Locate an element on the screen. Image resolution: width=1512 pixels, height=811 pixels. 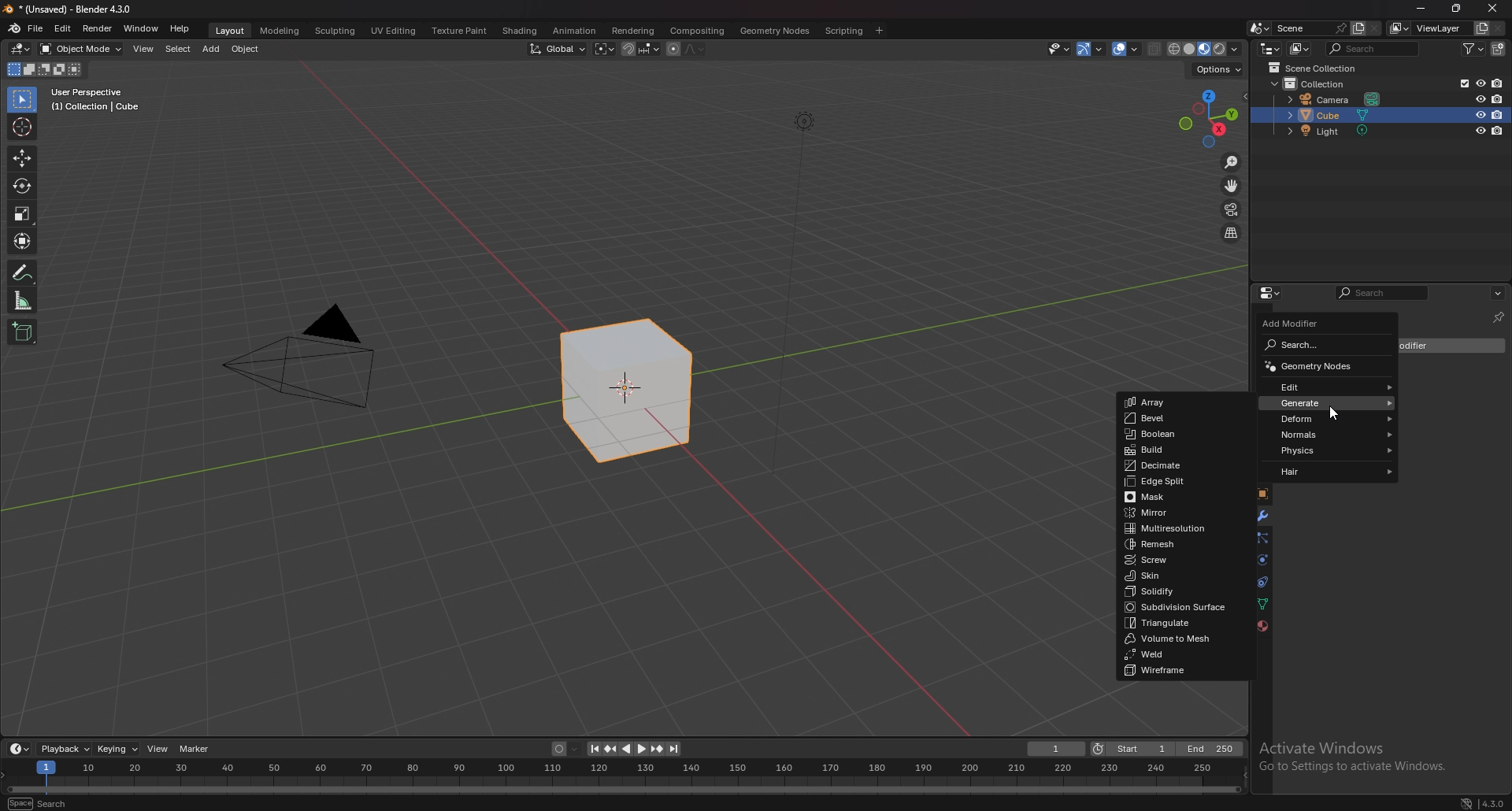
object is located at coordinates (1262, 494).